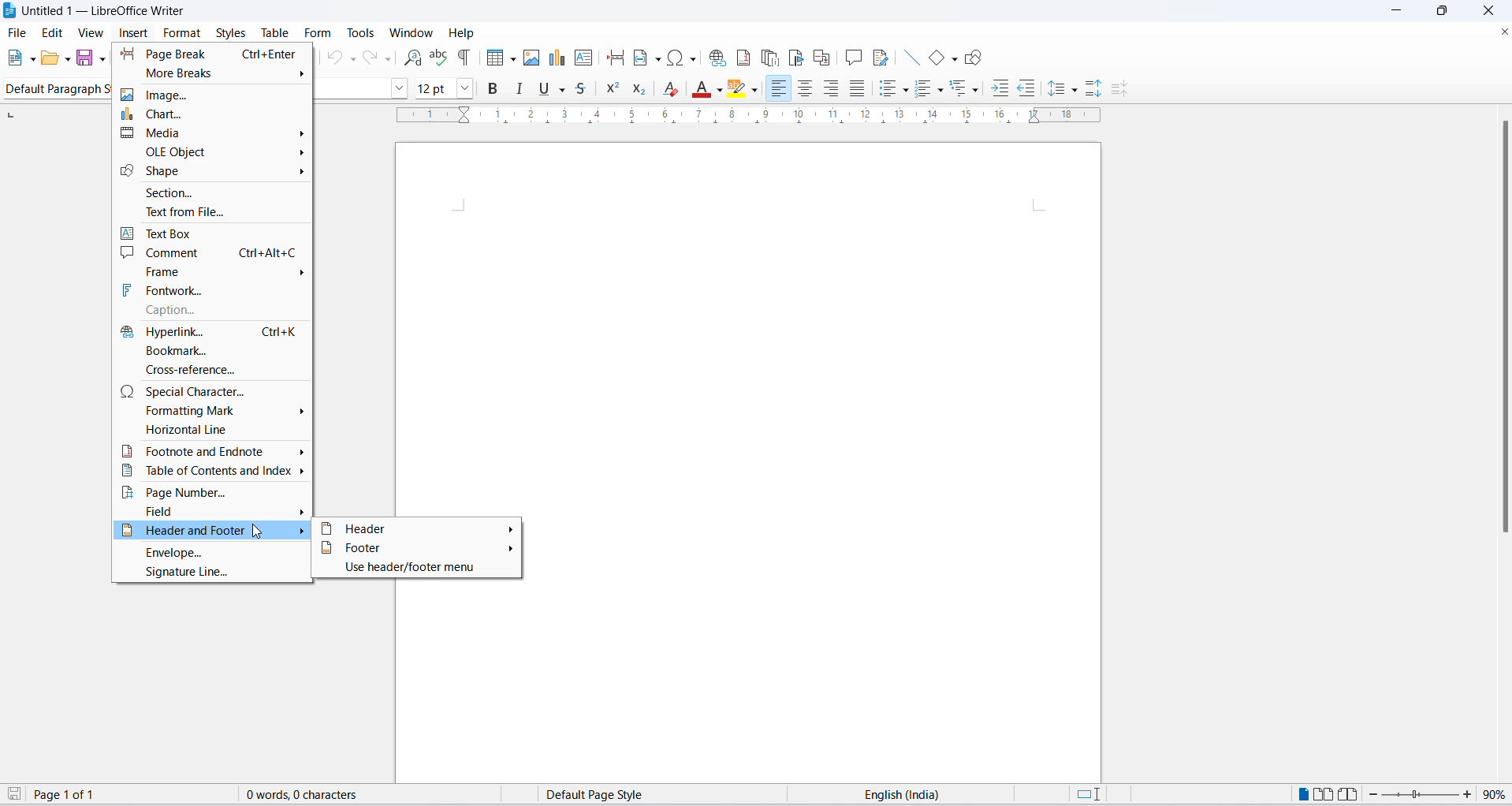 This screenshot has width=1512, height=806. What do you see at coordinates (210, 135) in the screenshot?
I see `media` at bounding box center [210, 135].